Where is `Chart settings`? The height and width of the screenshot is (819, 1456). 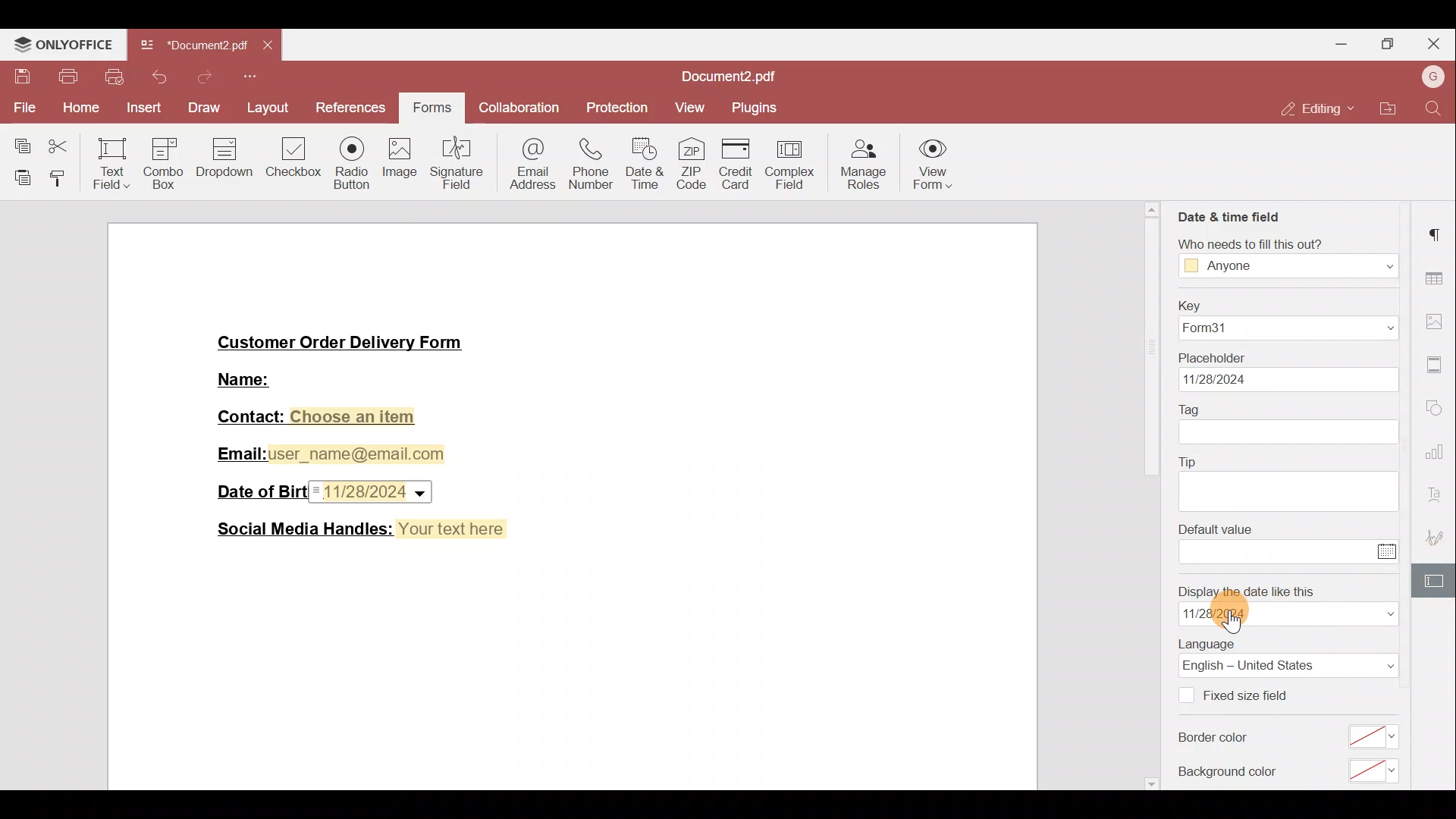
Chart settings is located at coordinates (1438, 457).